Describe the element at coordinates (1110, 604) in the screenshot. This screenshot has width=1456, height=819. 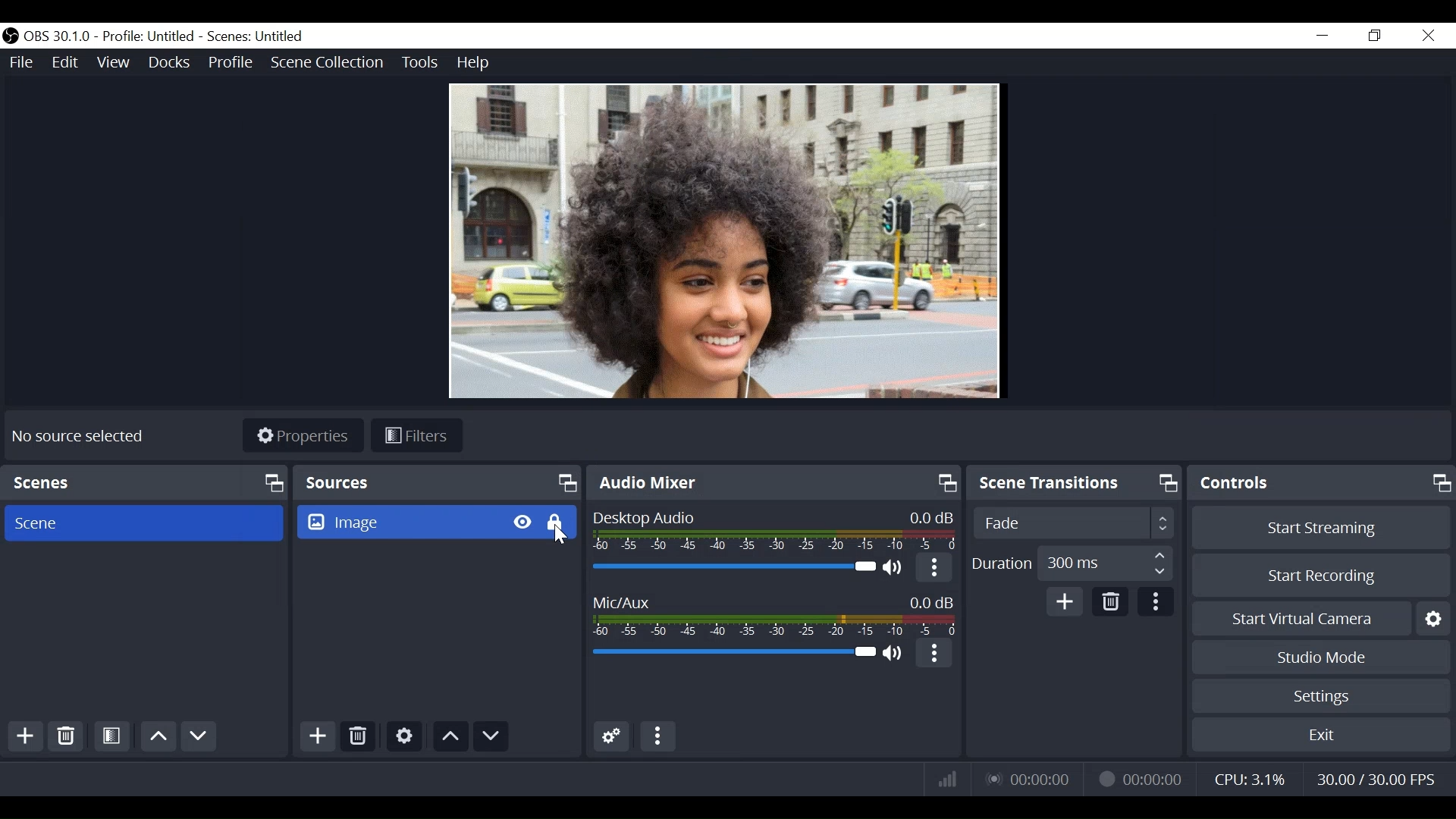
I see `Delete` at that location.